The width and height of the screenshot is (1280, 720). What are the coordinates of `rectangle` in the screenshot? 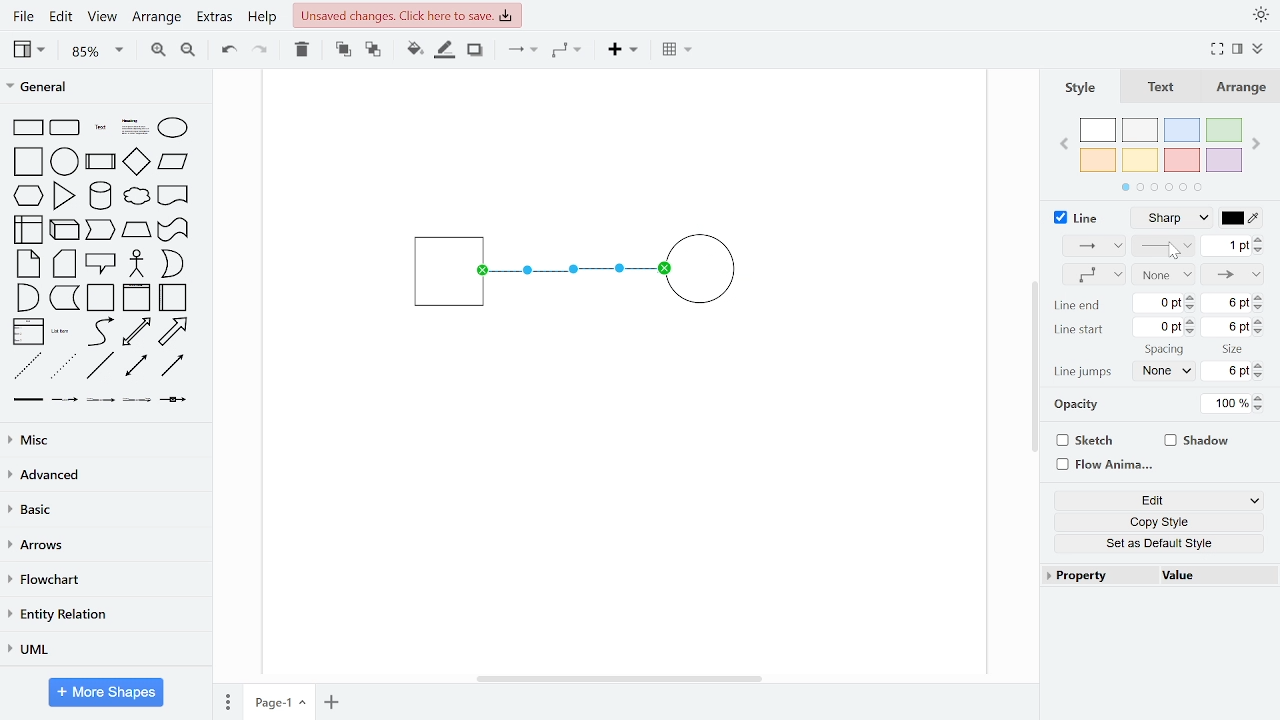 It's located at (28, 128).